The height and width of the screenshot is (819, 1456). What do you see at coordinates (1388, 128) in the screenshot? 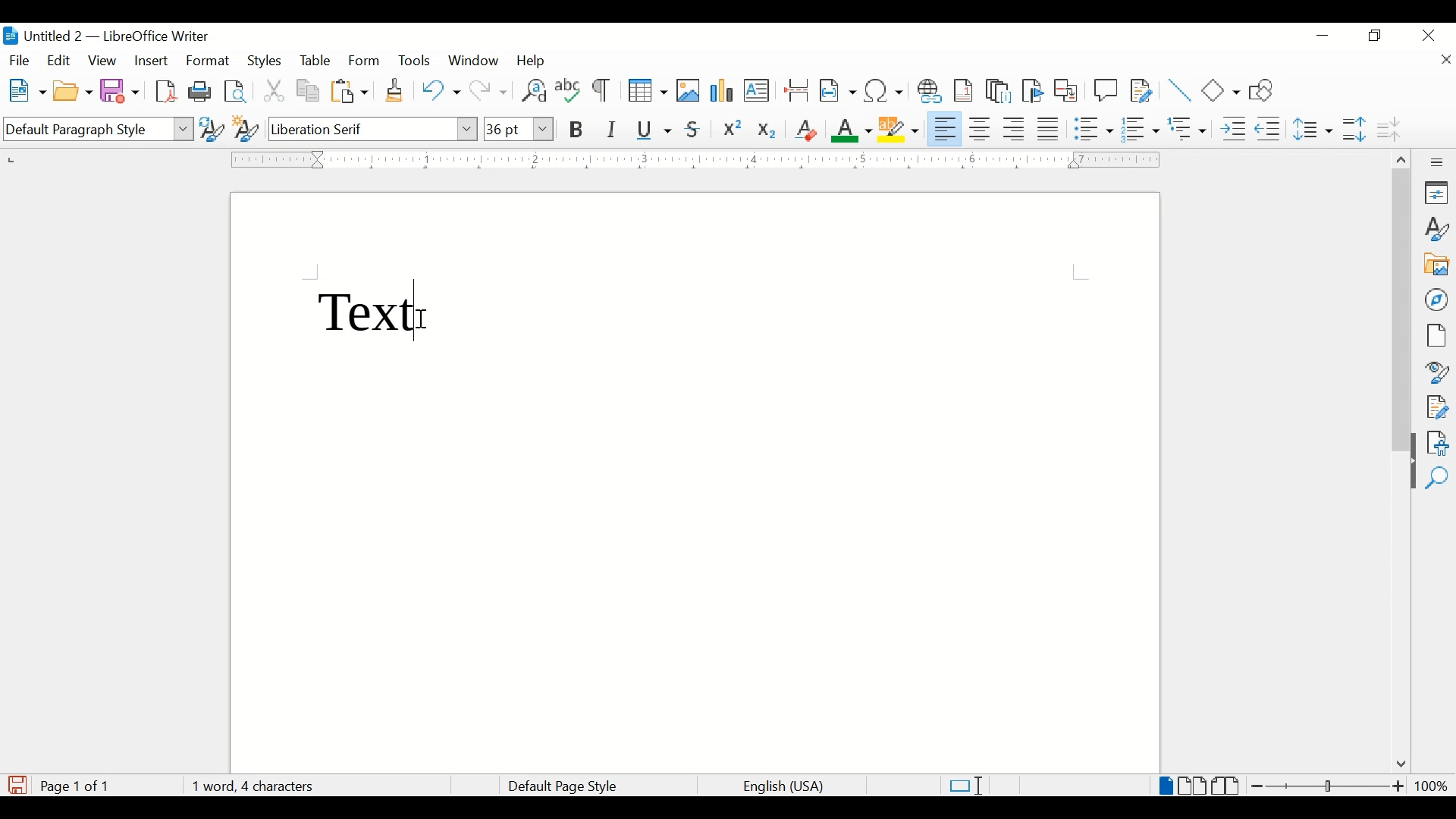
I see `decrease paragraph spacing` at bounding box center [1388, 128].